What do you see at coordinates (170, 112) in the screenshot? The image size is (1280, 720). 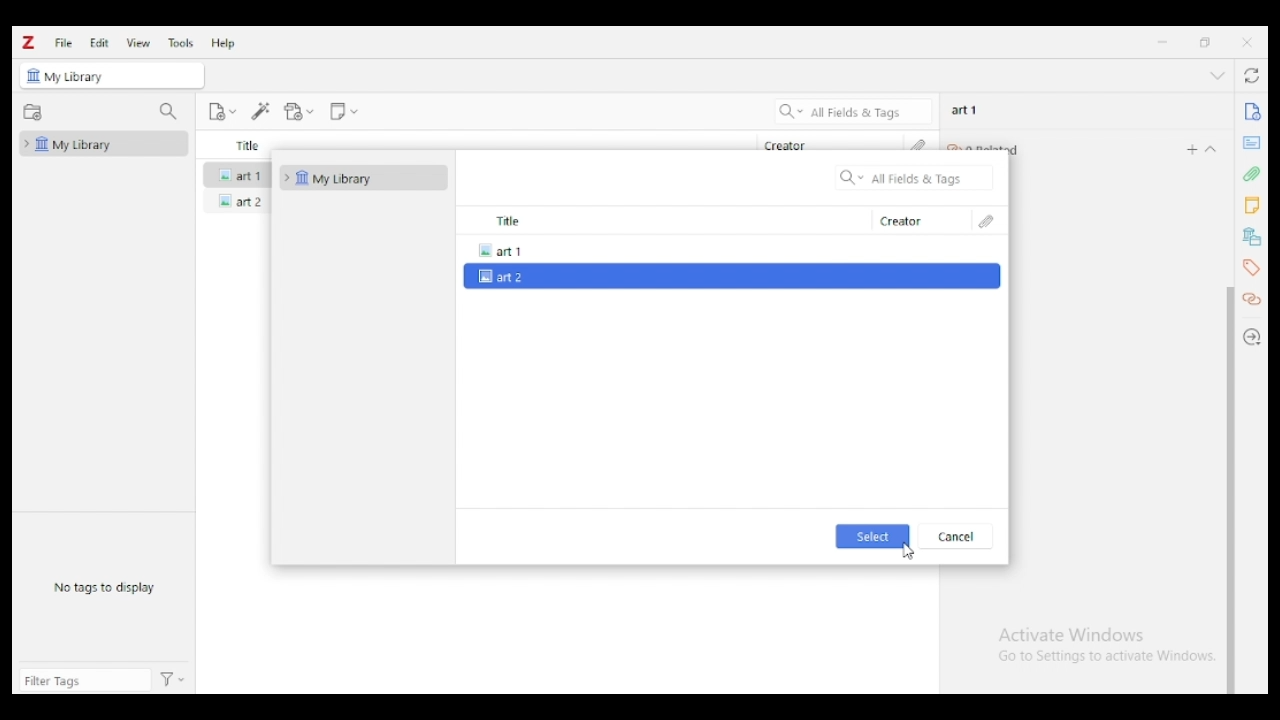 I see `filter collection` at bounding box center [170, 112].